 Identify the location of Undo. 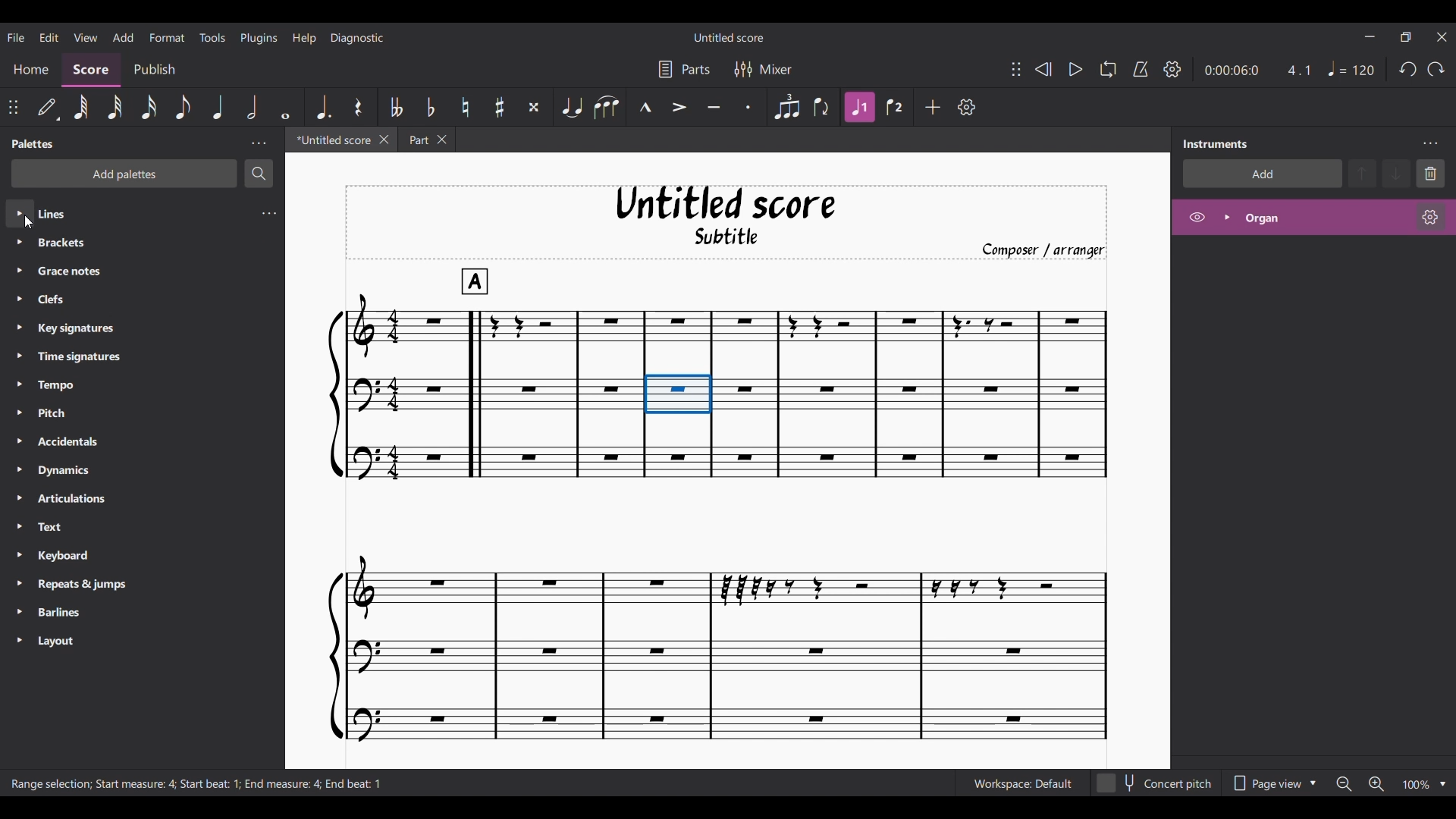
(1408, 69).